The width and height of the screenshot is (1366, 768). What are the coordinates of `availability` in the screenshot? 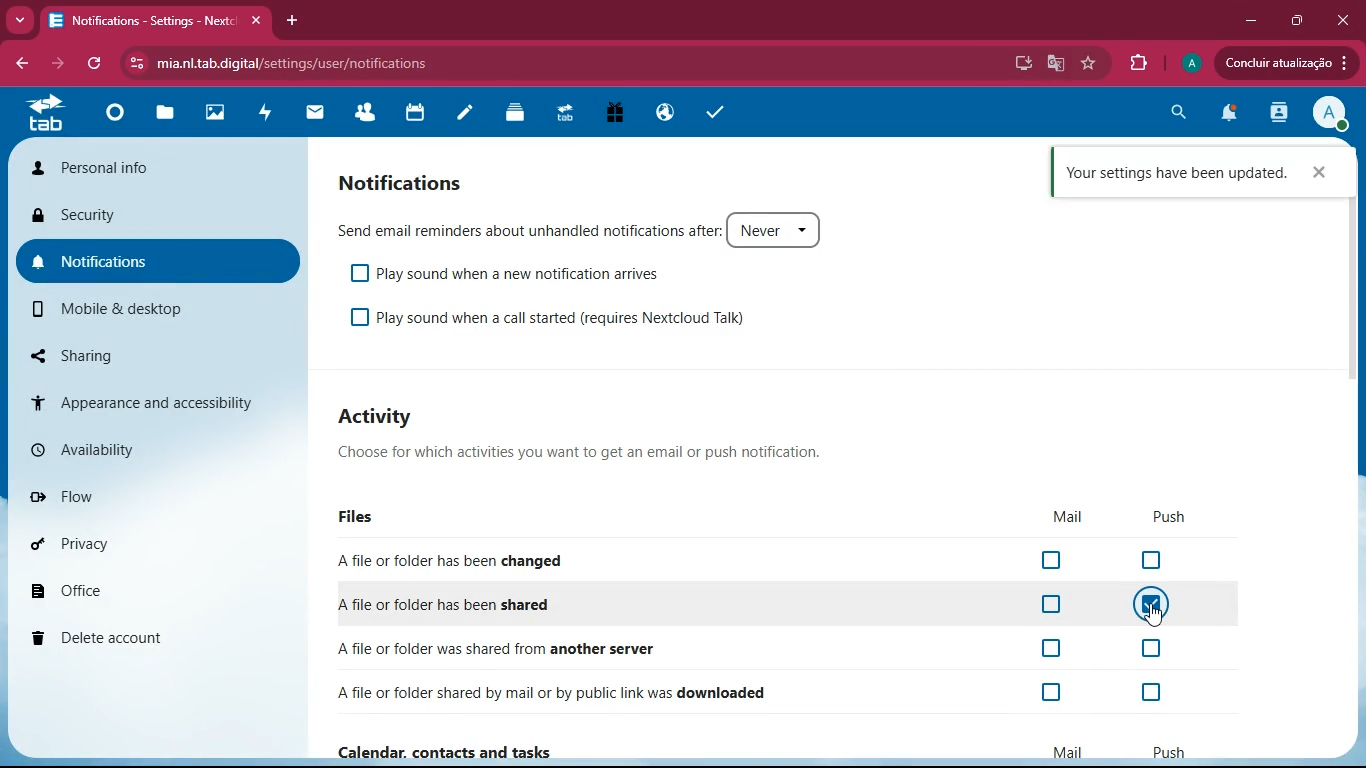 It's located at (94, 444).